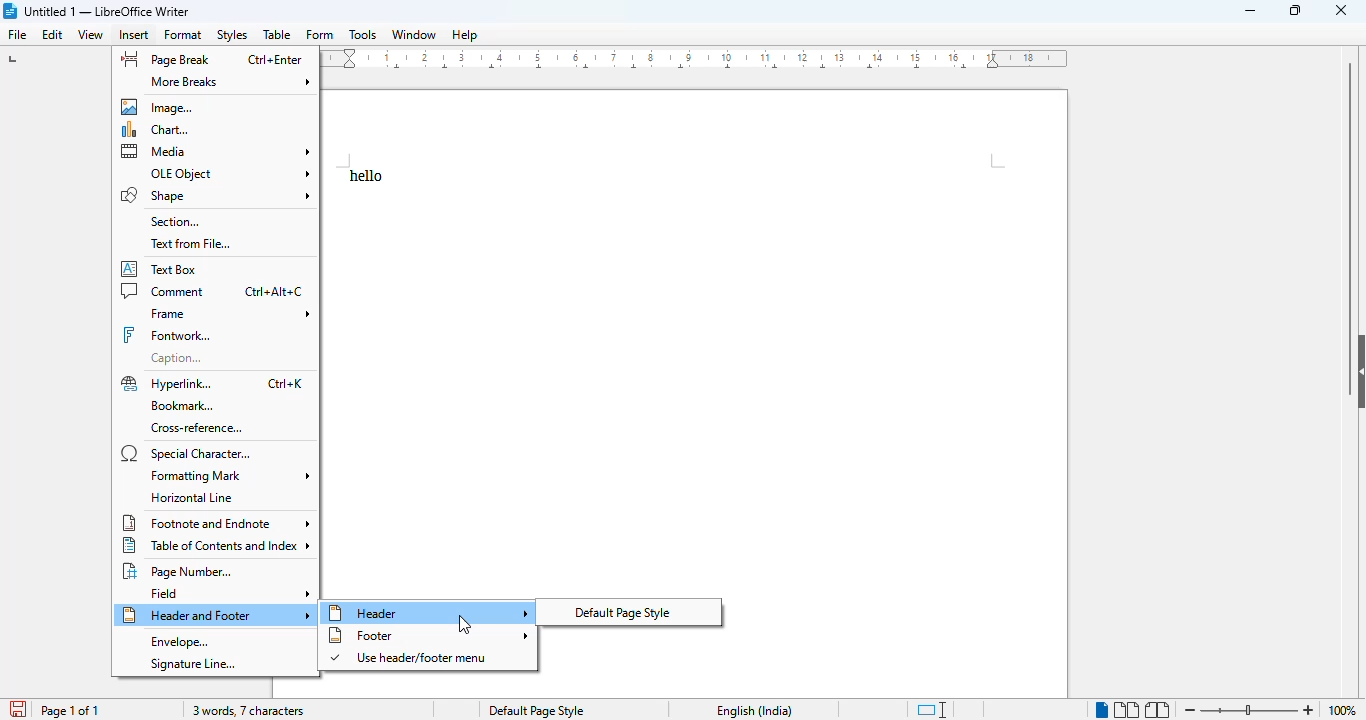  What do you see at coordinates (184, 405) in the screenshot?
I see `bookmark` at bounding box center [184, 405].